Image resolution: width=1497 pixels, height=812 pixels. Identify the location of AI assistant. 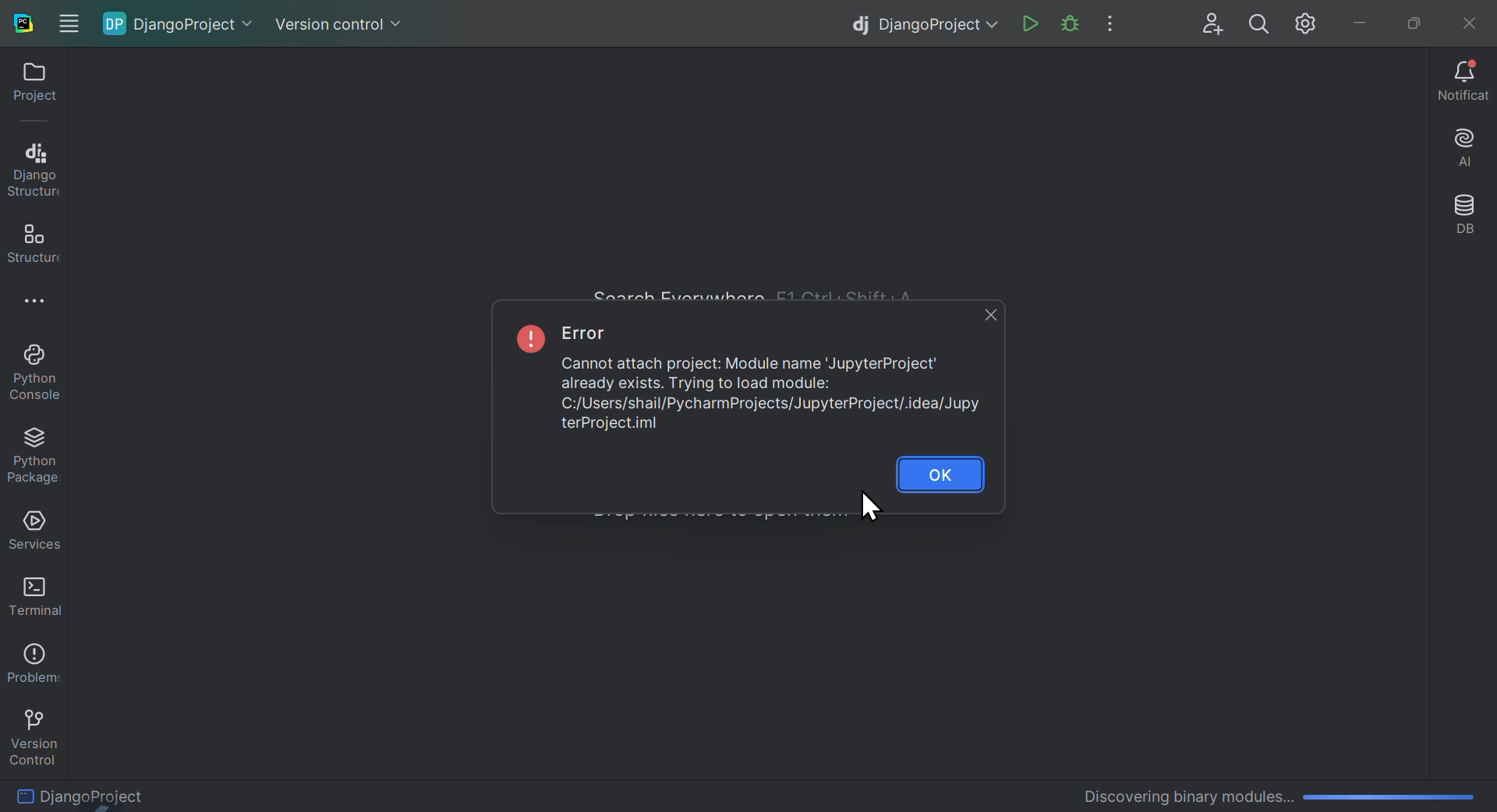
(1460, 150).